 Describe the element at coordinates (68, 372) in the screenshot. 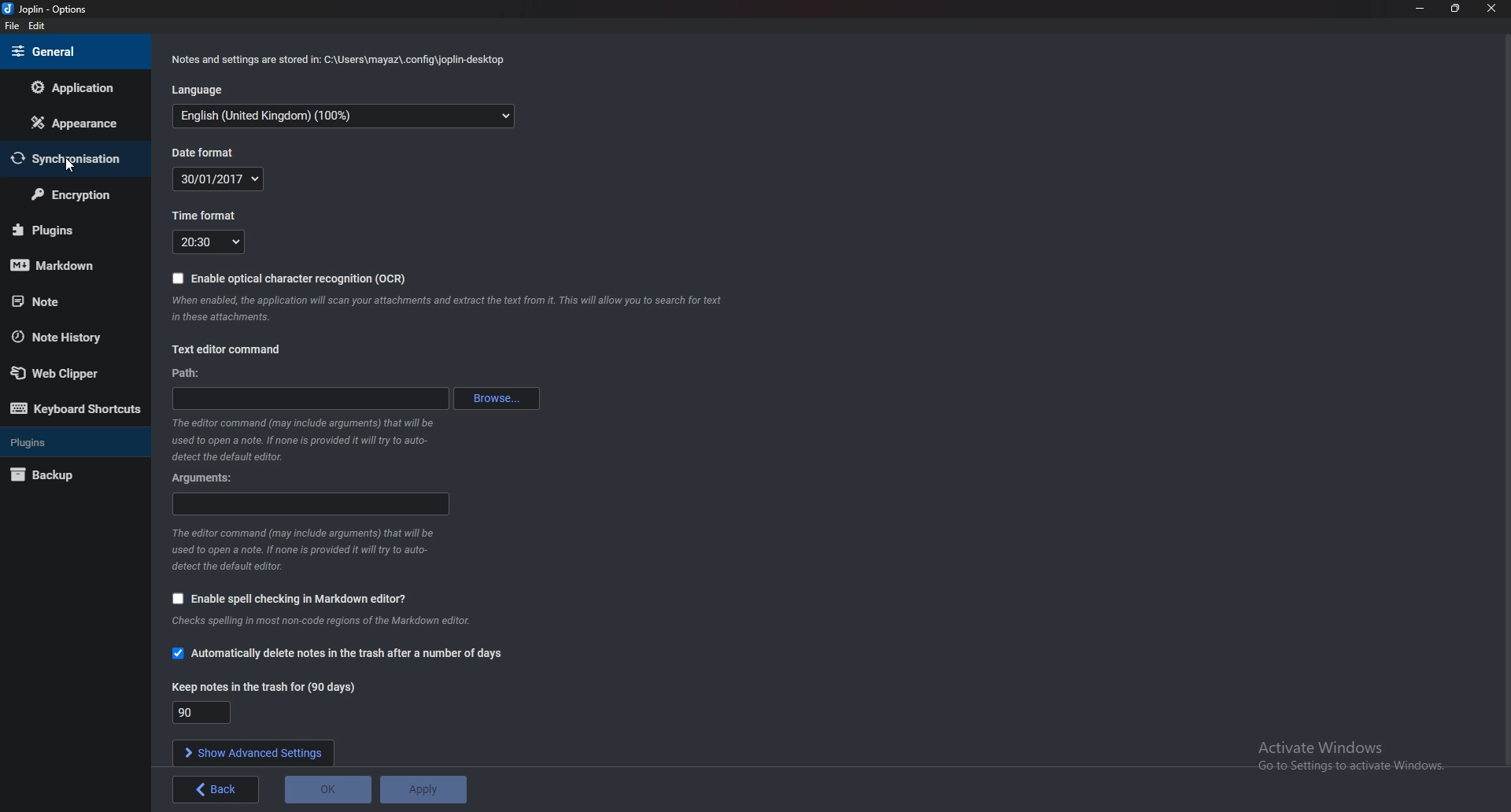

I see `web clipper` at that location.